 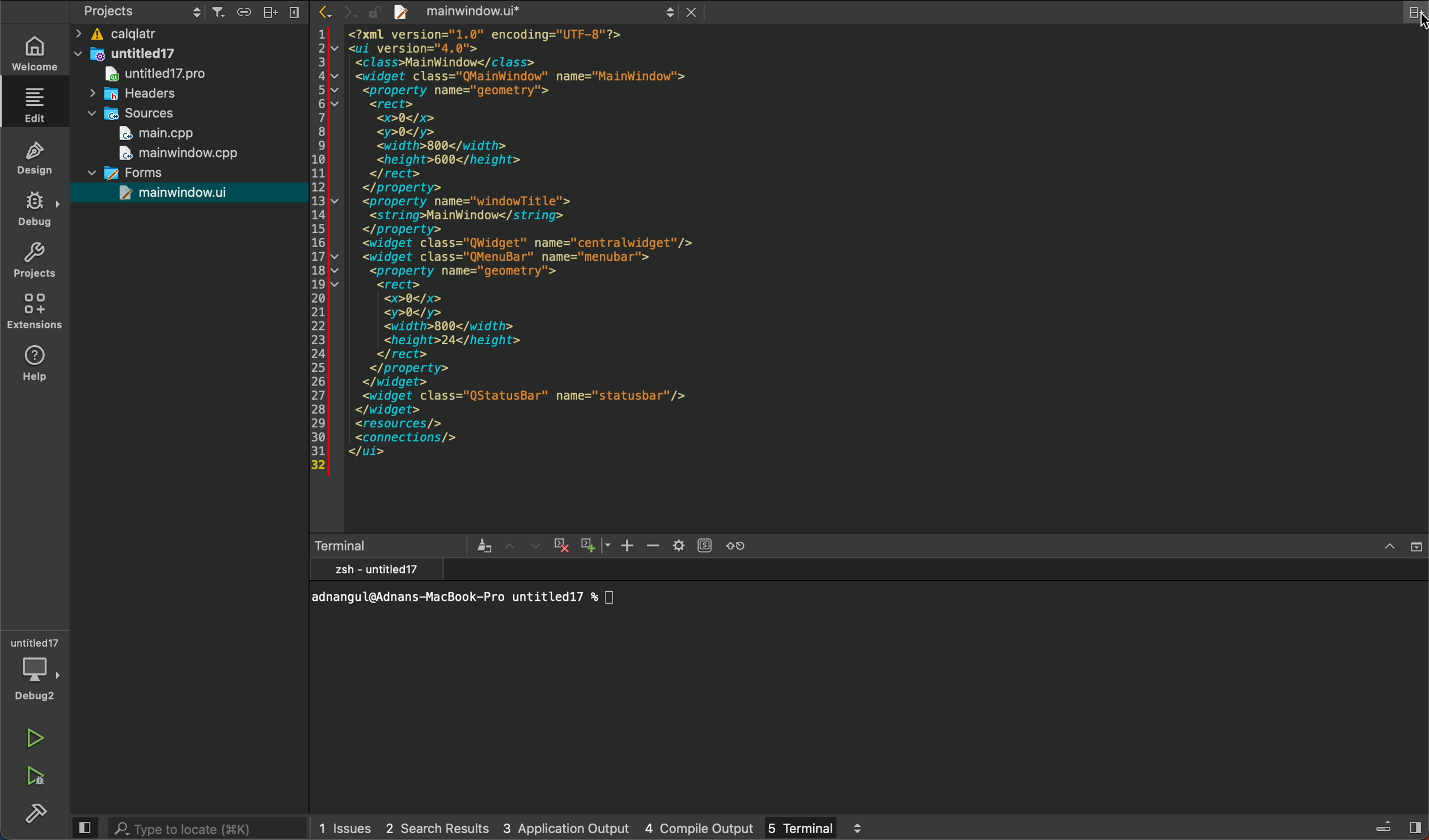 What do you see at coordinates (36, 156) in the screenshot?
I see `design` at bounding box center [36, 156].